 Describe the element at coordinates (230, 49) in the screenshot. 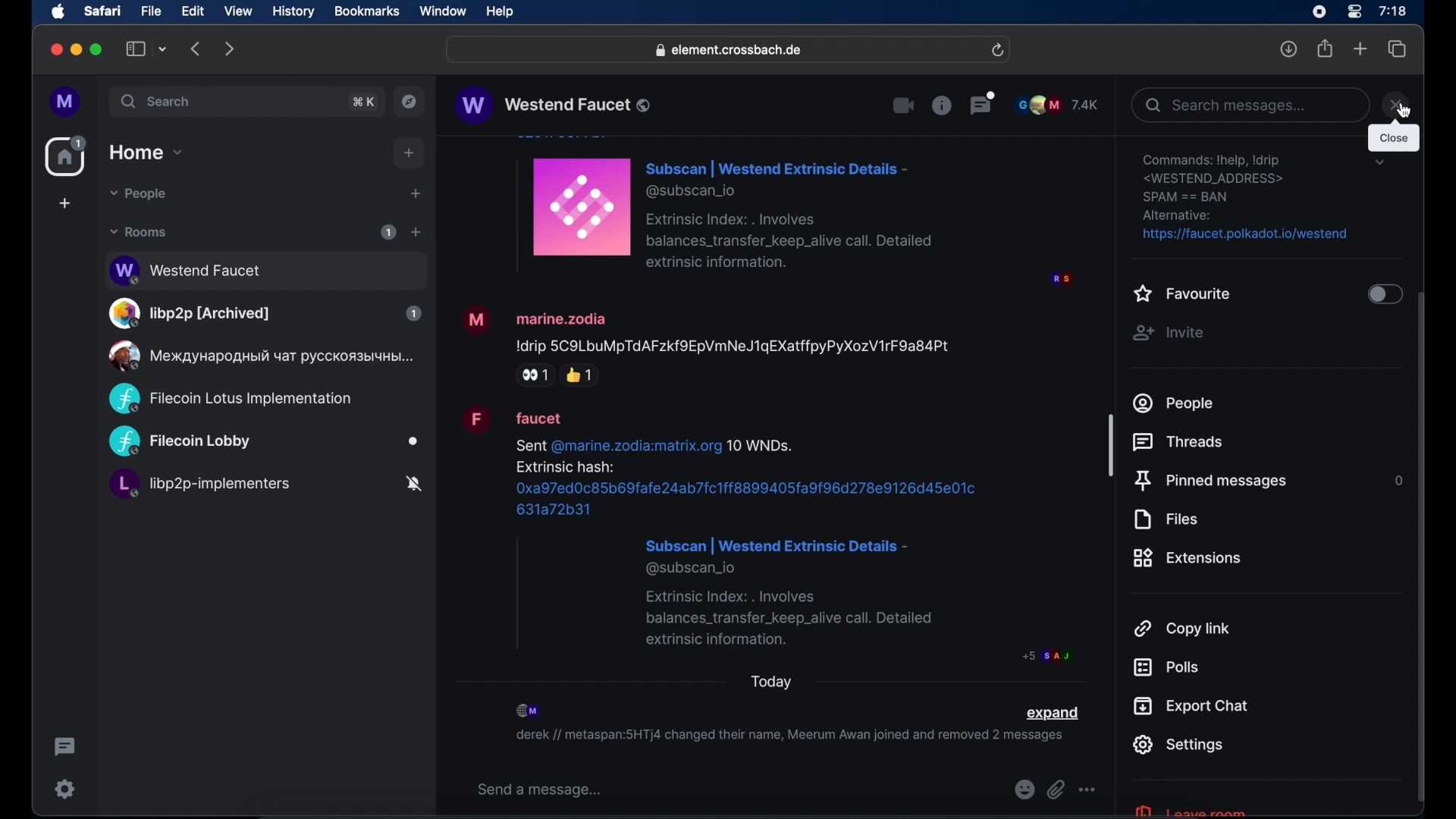

I see `forward` at that location.